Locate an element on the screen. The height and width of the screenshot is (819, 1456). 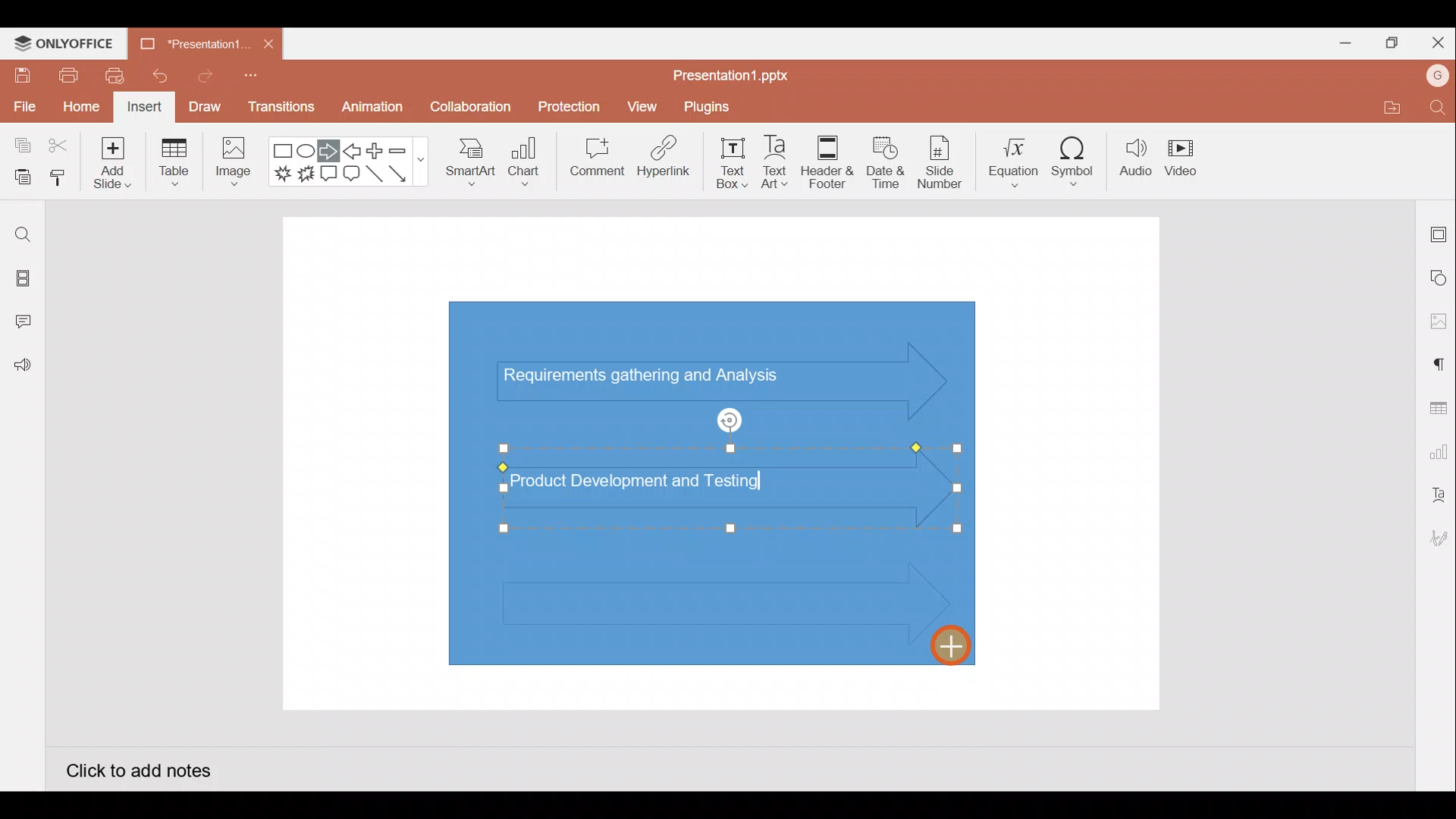
Shape settings is located at coordinates (1439, 277).